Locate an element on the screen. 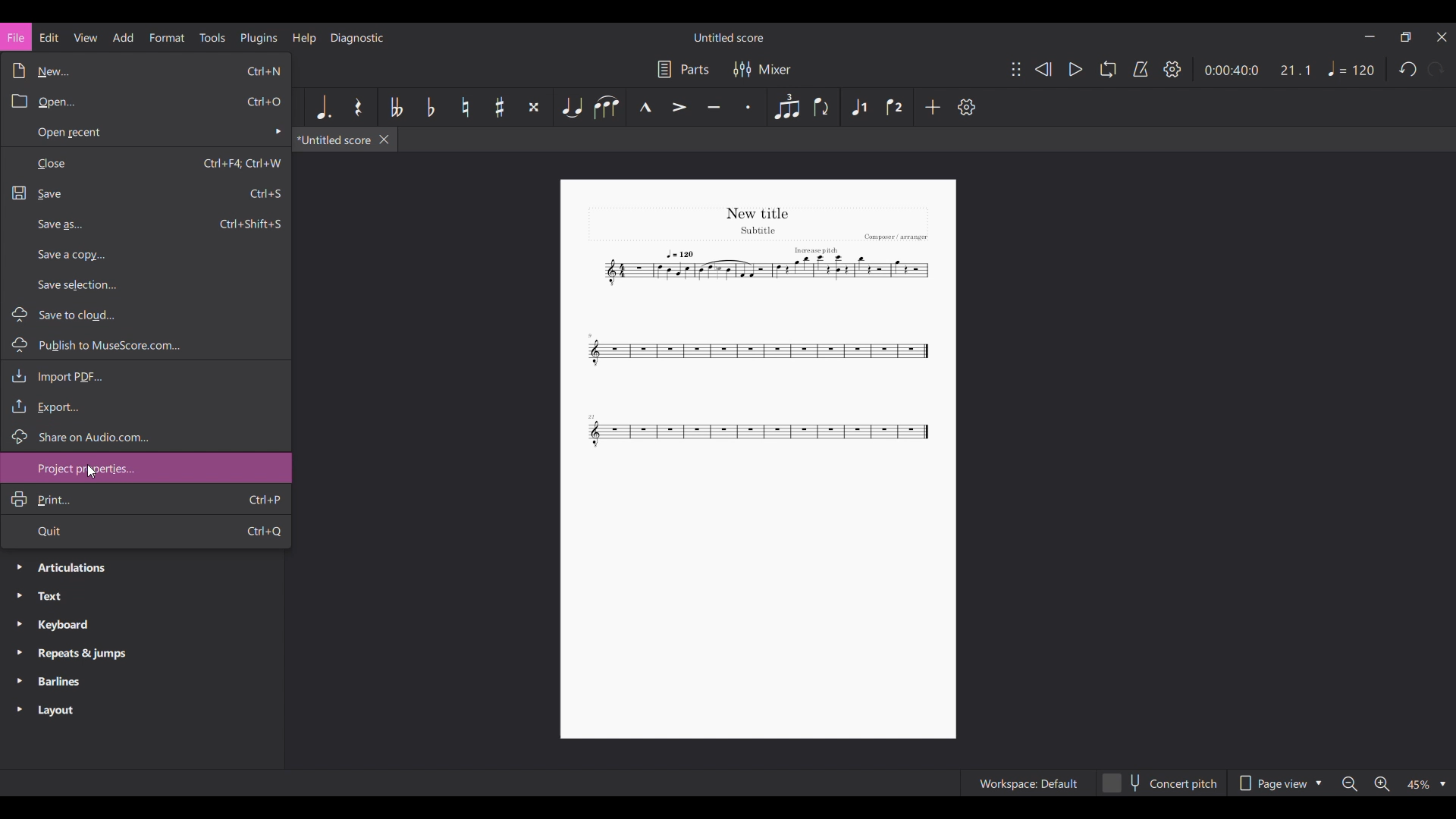  Show in smaller tab is located at coordinates (1406, 36).